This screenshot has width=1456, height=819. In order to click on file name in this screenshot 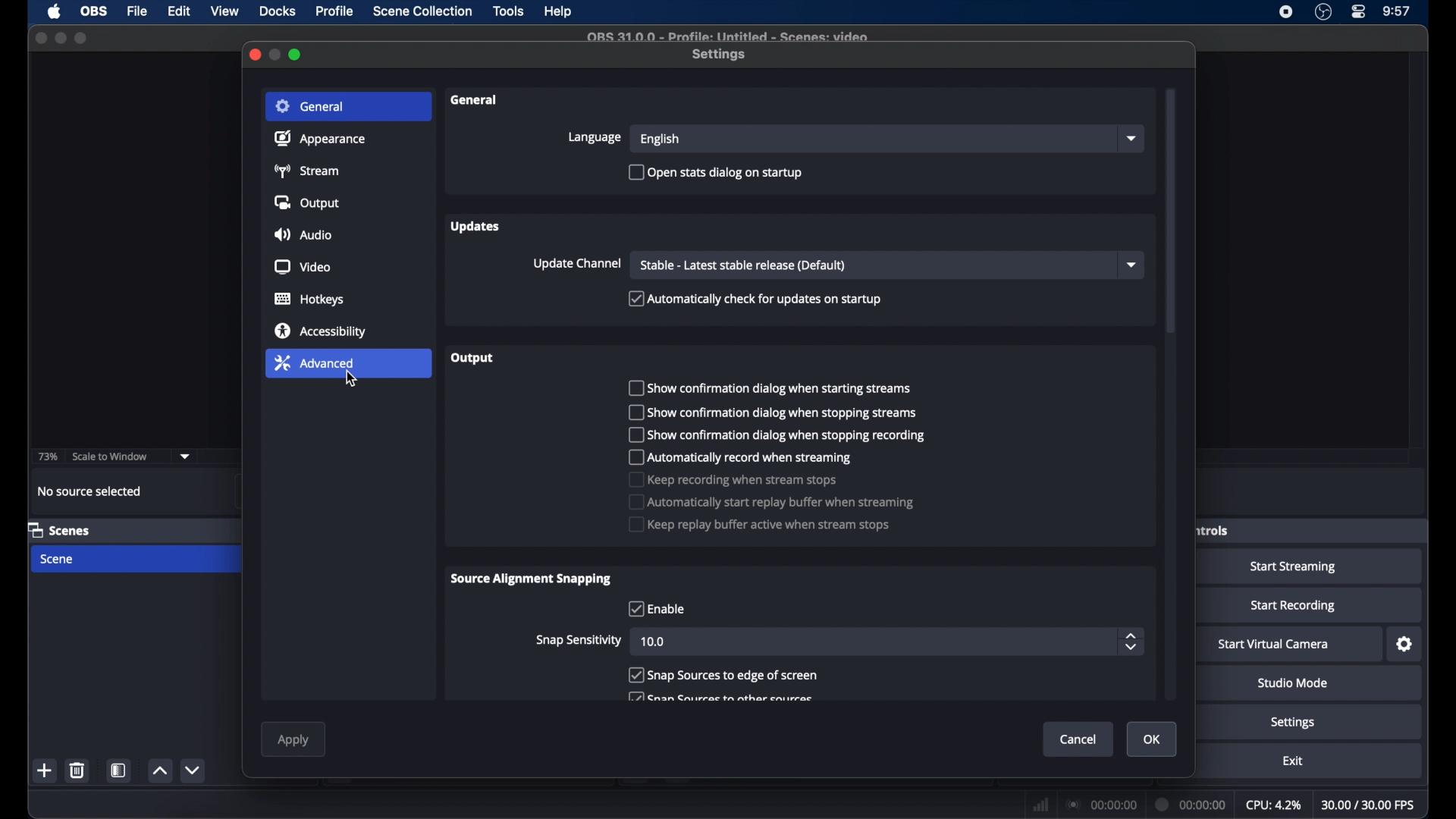, I will do `click(730, 36)`.